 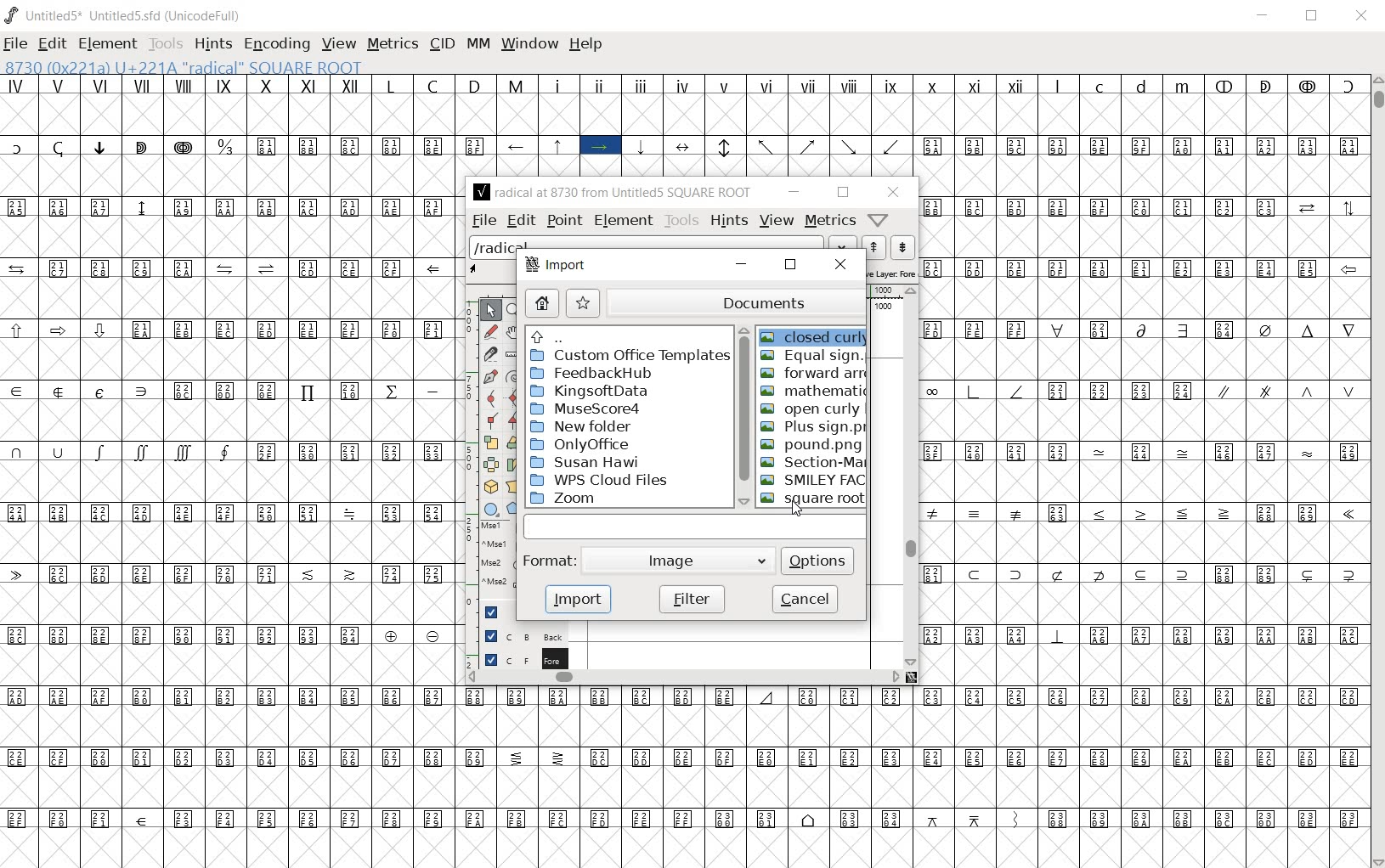 I want to click on cut splines in two, so click(x=490, y=354).